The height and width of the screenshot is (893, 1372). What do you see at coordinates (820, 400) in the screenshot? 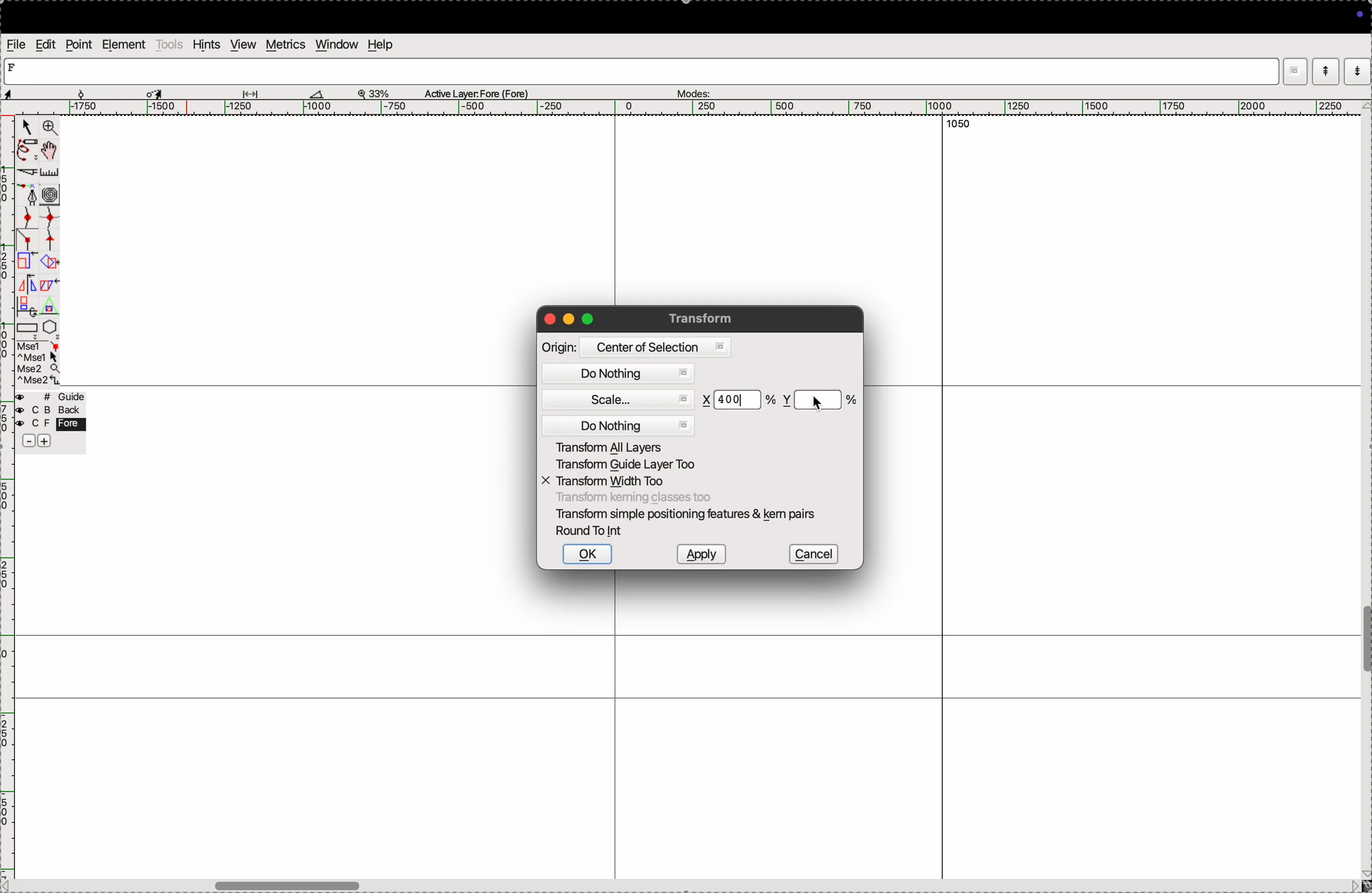
I see `y scale %` at bounding box center [820, 400].